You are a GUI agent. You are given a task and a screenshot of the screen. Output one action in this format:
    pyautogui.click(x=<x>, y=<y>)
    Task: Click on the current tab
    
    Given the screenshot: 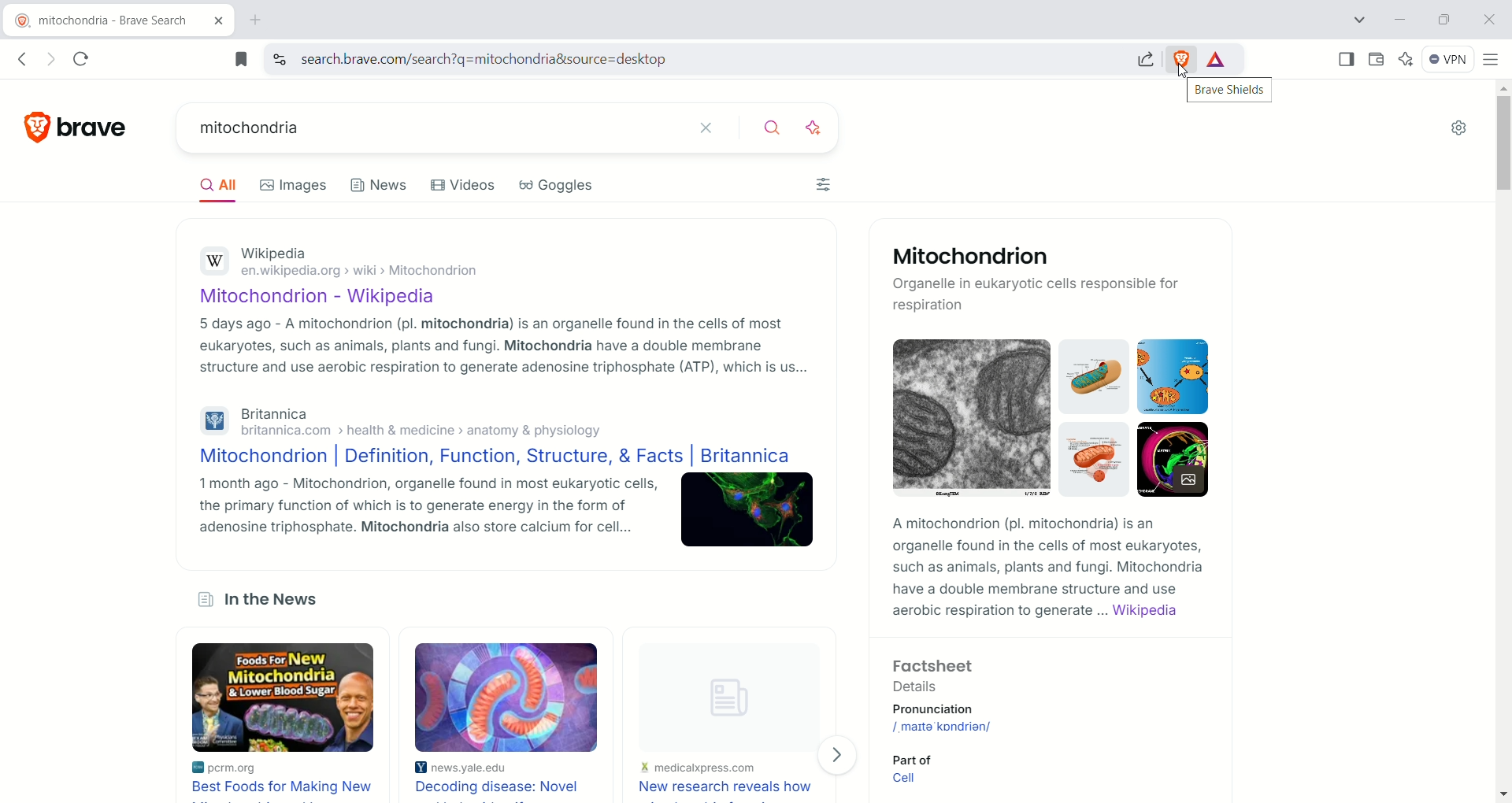 What is the action you would take?
    pyautogui.click(x=106, y=21)
    